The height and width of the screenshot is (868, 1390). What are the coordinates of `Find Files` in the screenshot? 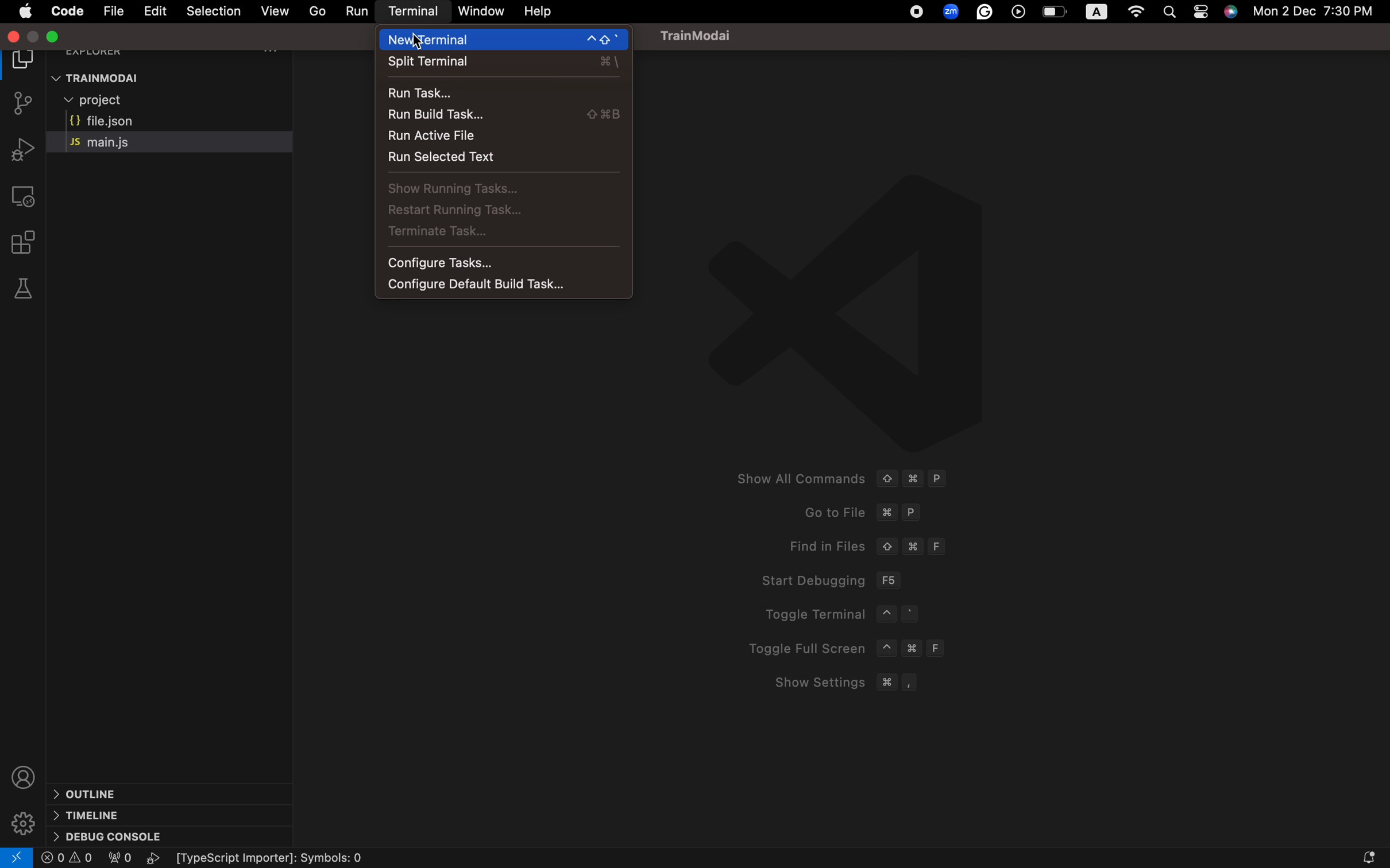 It's located at (867, 546).